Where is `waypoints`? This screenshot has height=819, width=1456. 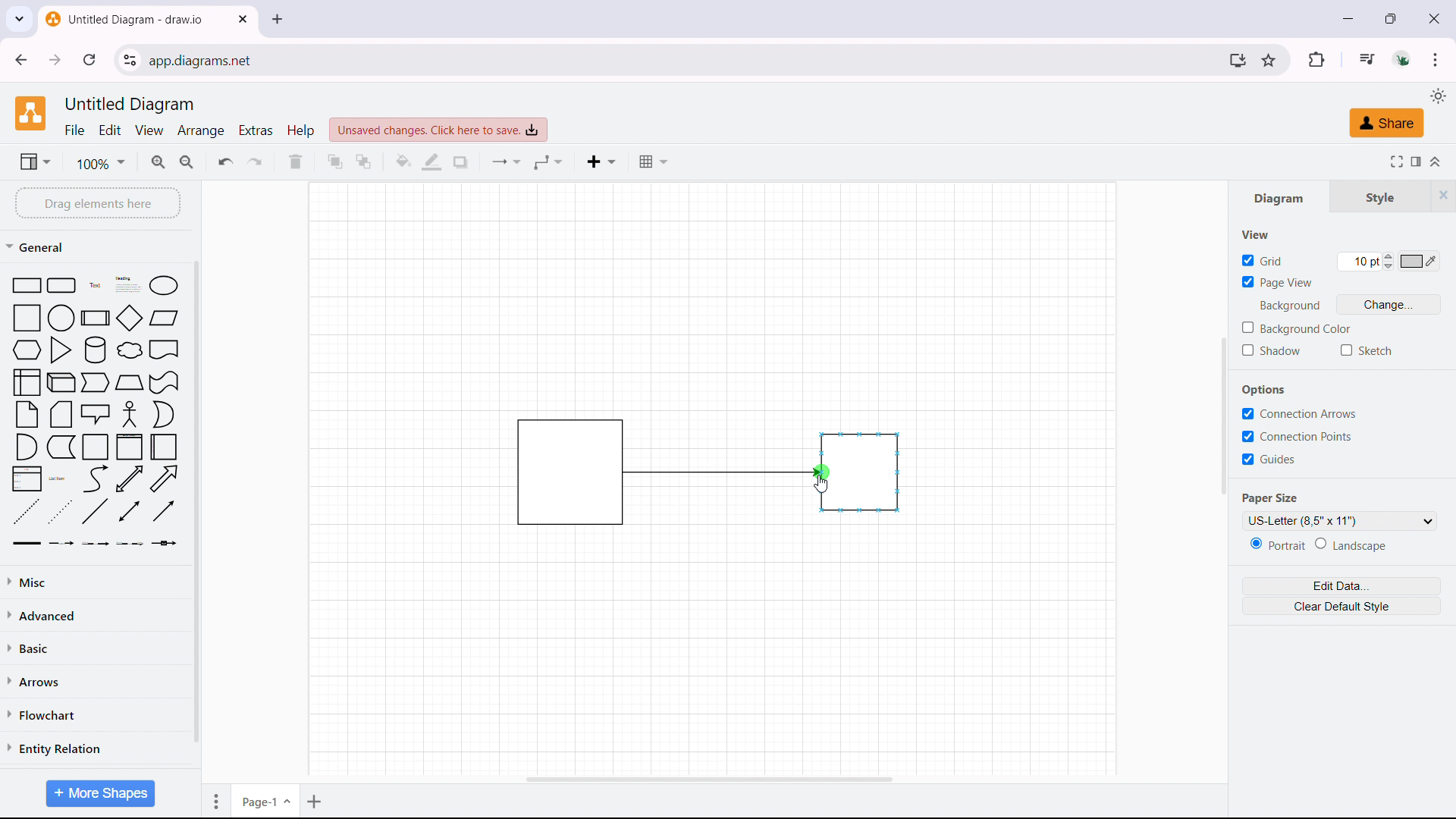 waypoints is located at coordinates (548, 162).